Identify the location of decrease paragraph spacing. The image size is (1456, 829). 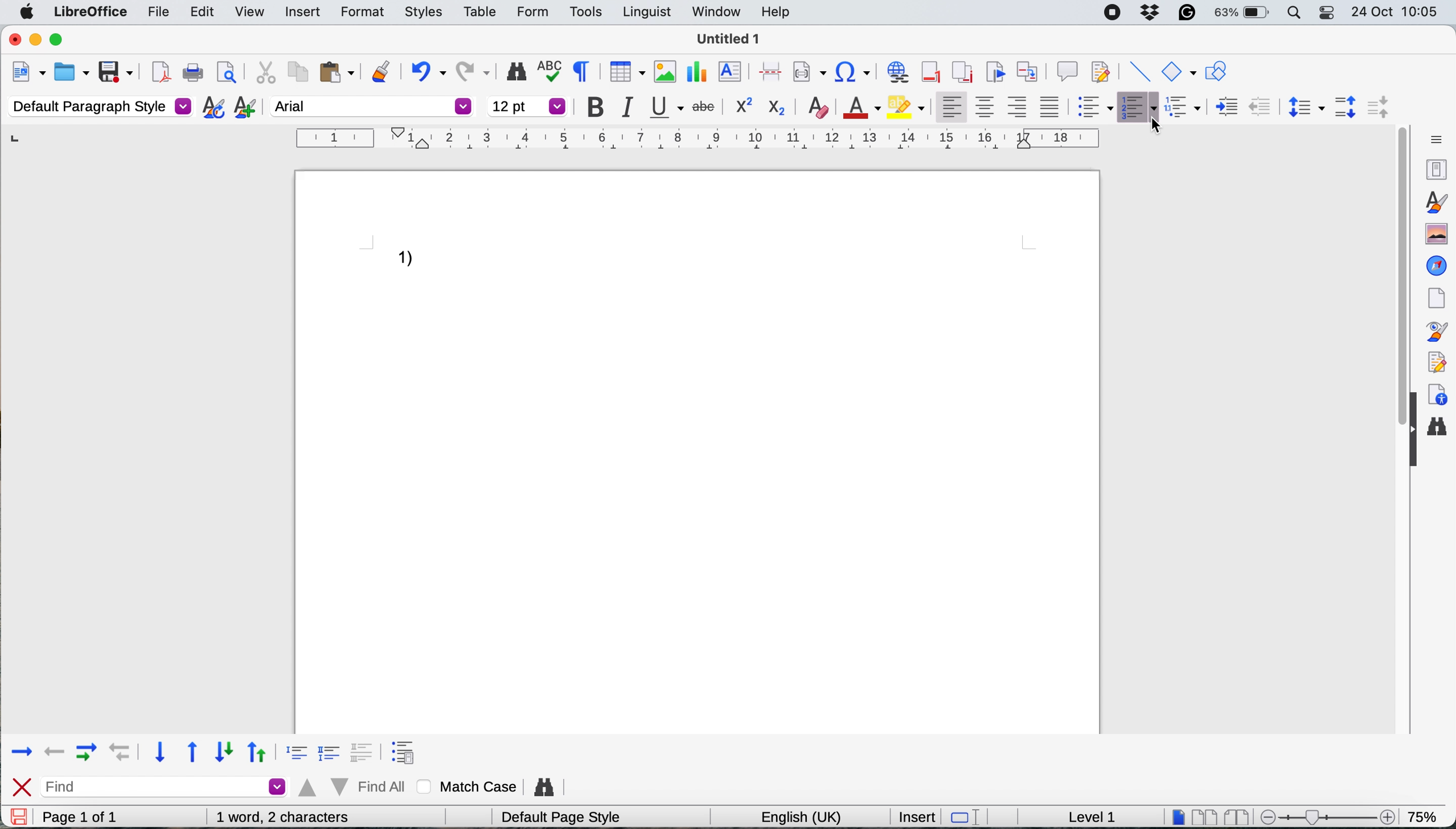
(1376, 106).